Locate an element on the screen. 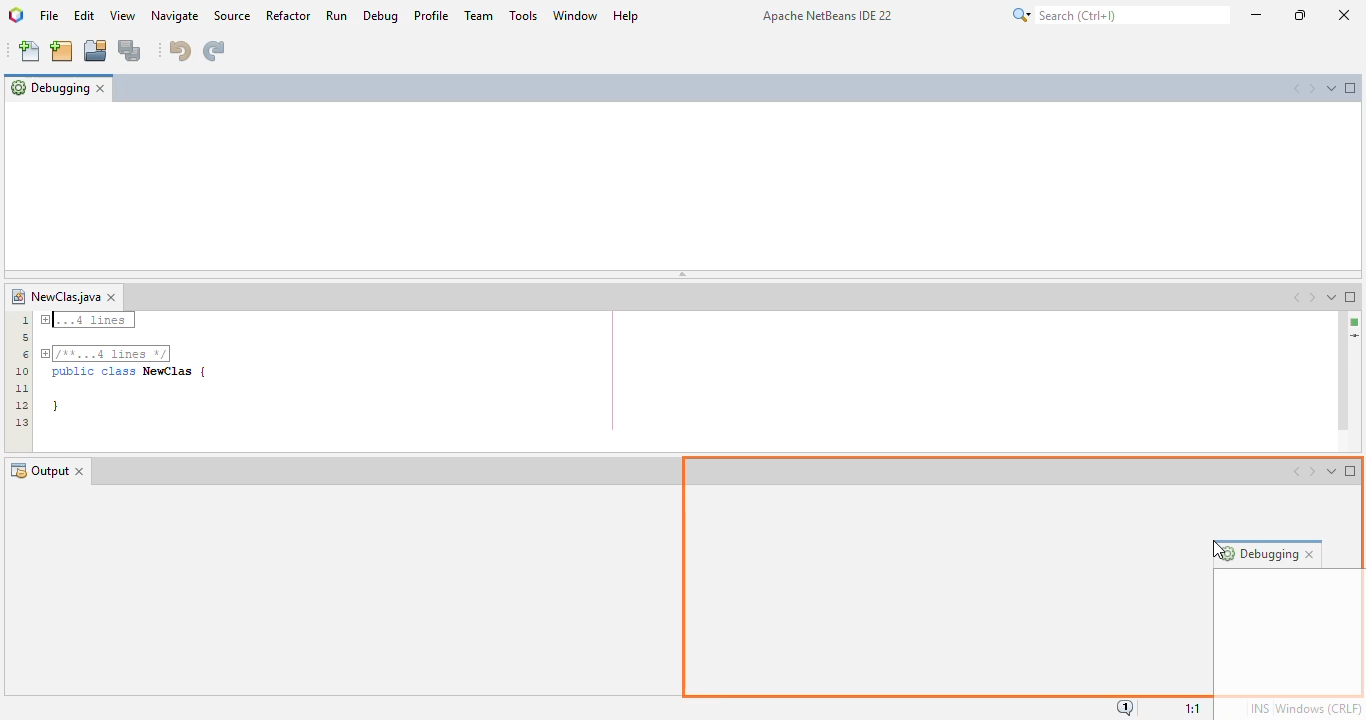 The width and height of the screenshot is (1366, 720). new file is located at coordinates (30, 52).